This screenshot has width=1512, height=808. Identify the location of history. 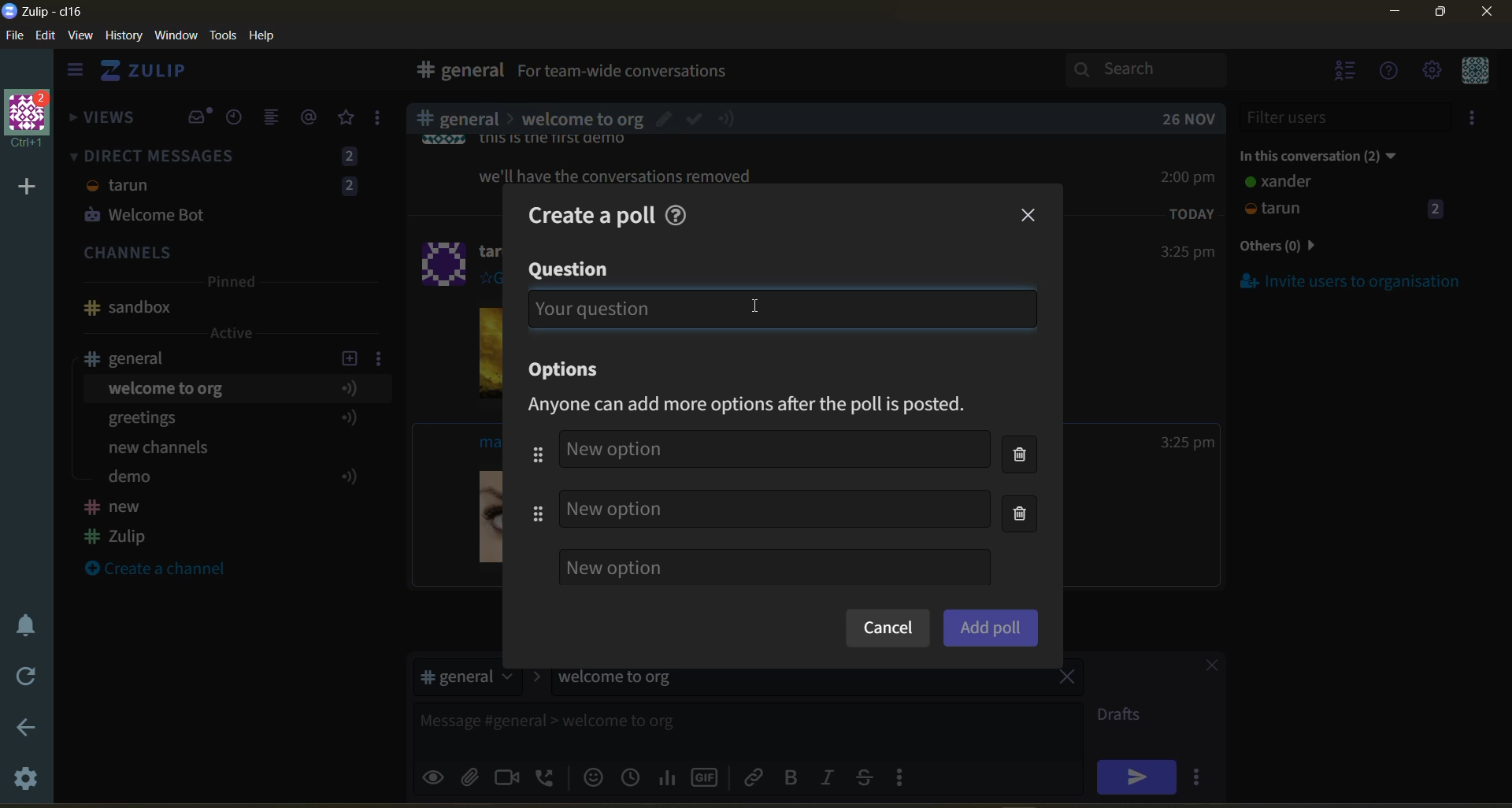
(124, 39).